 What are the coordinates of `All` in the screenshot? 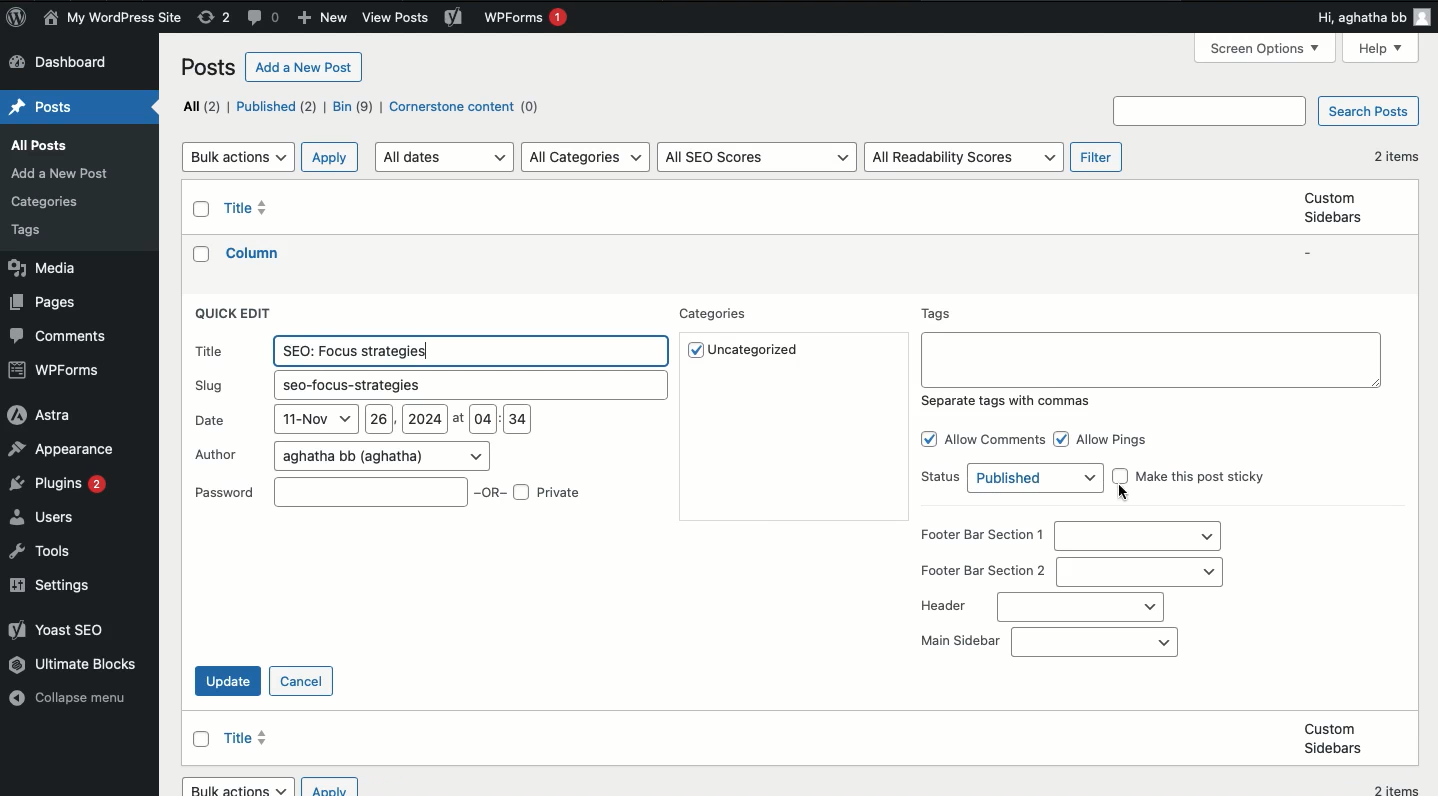 It's located at (202, 106).